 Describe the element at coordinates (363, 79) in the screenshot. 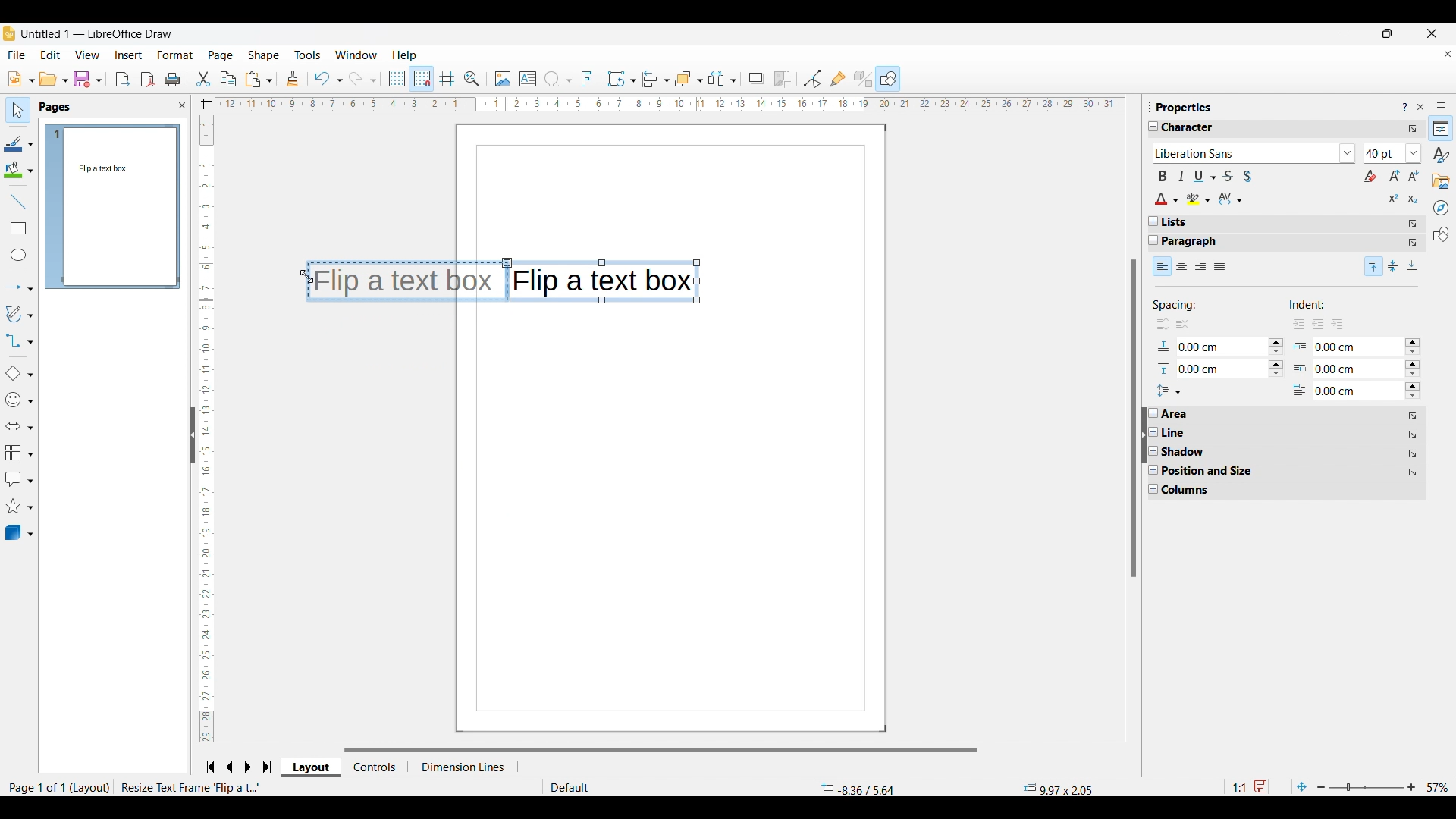

I see `Redo` at that location.